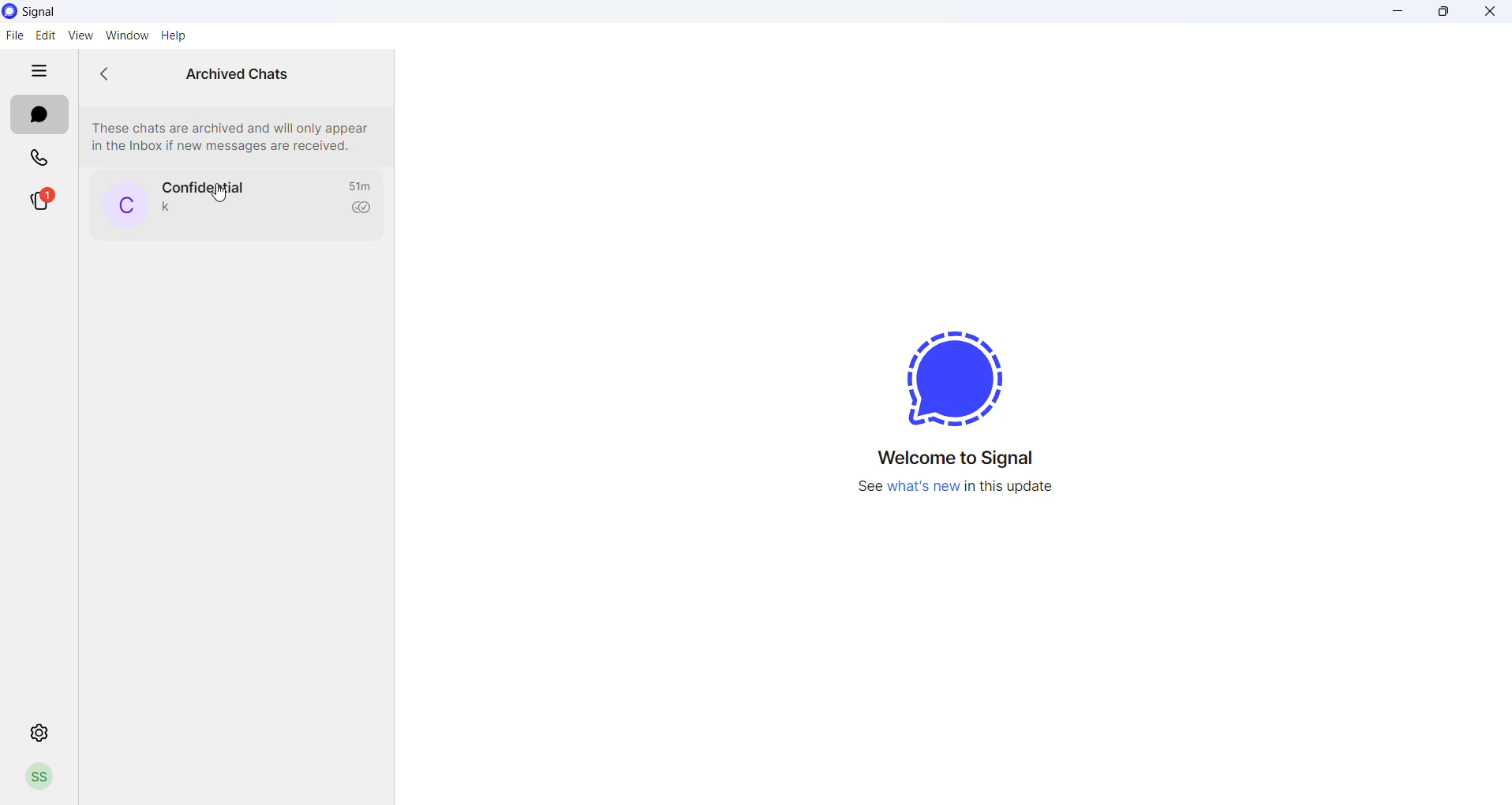  Describe the element at coordinates (165, 208) in the screenshot. I see `last message` at that location.